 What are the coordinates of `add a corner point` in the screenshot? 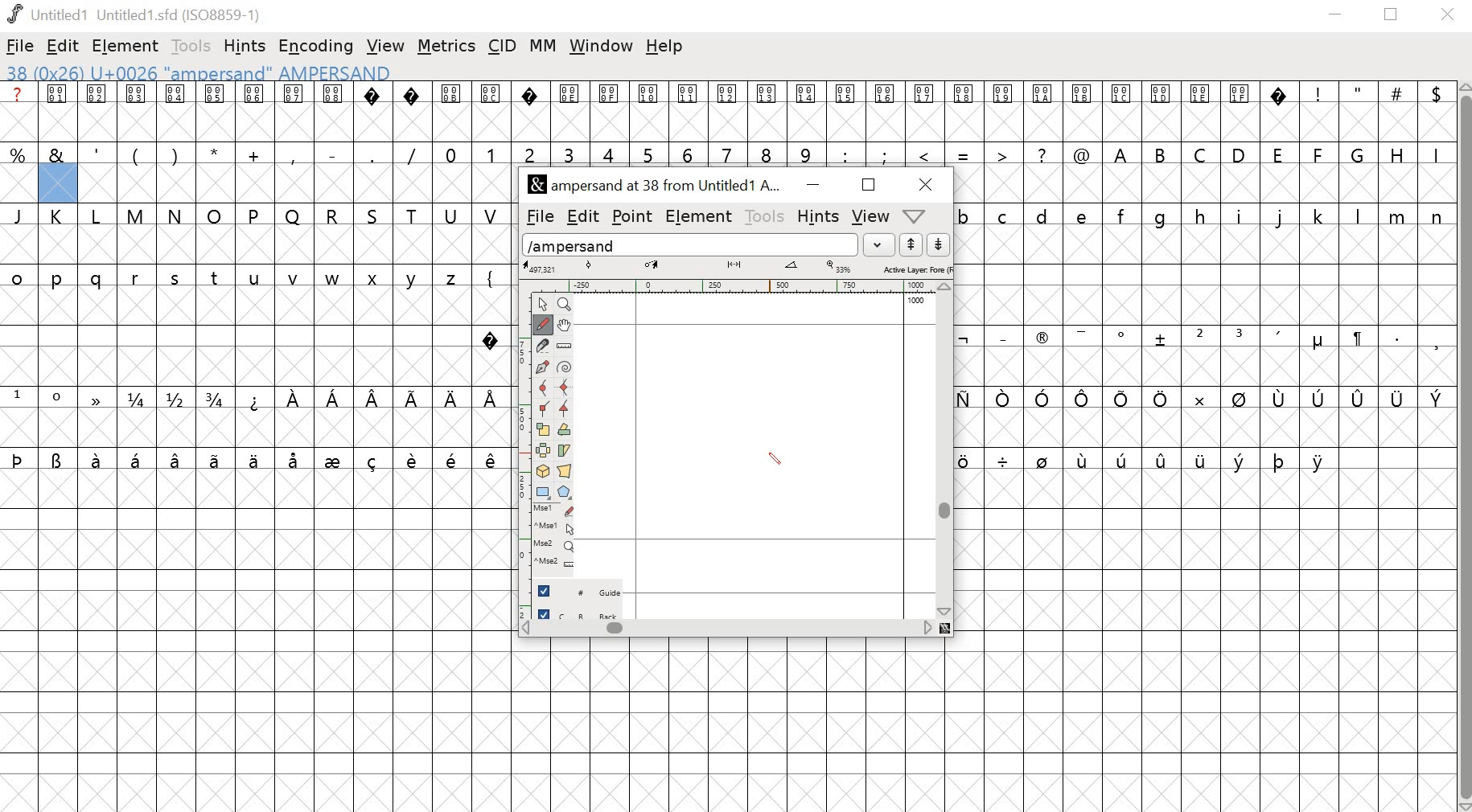 It's located at (544, 411).